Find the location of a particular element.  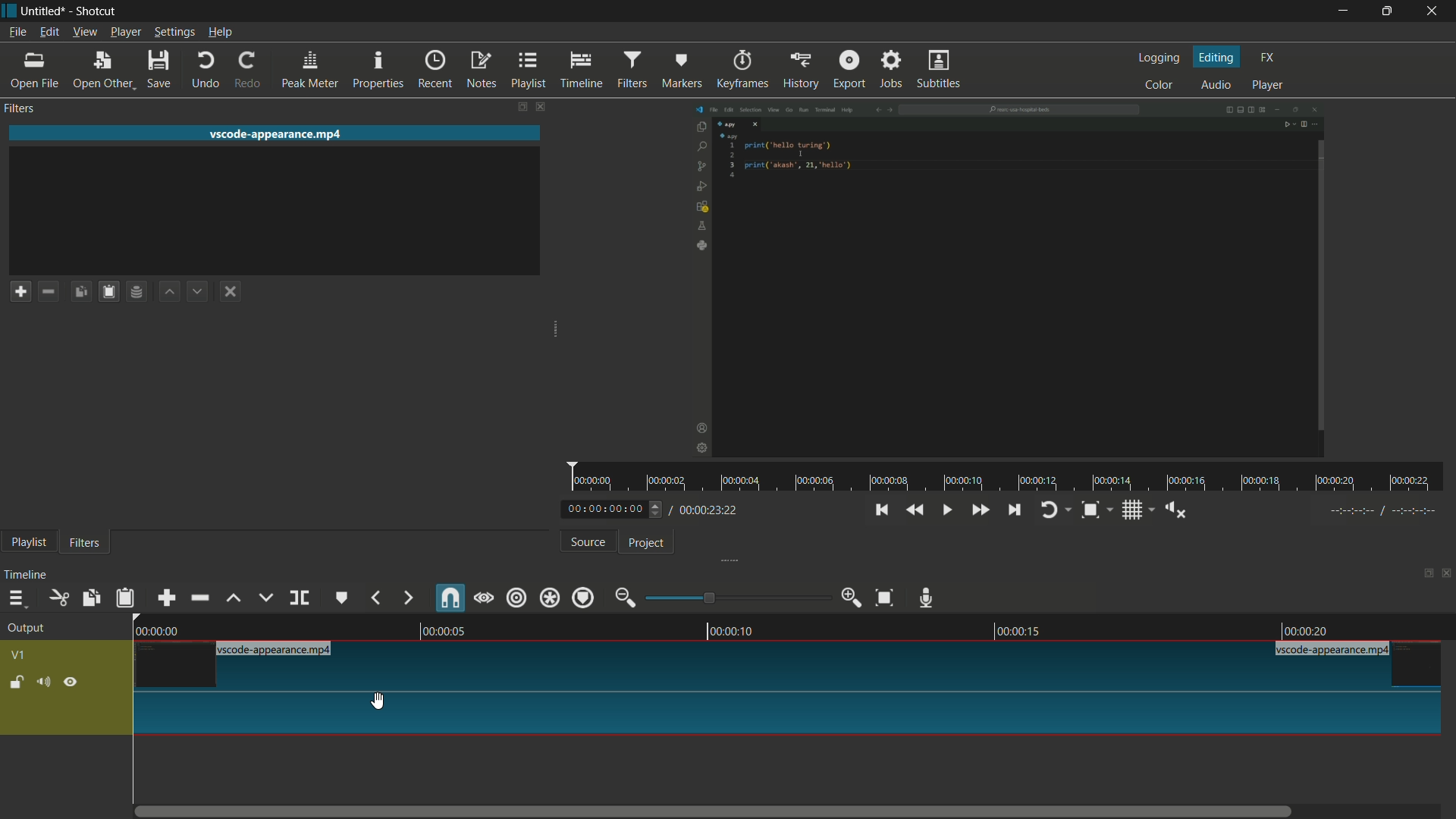

total time is located at coordinates (706, 510).